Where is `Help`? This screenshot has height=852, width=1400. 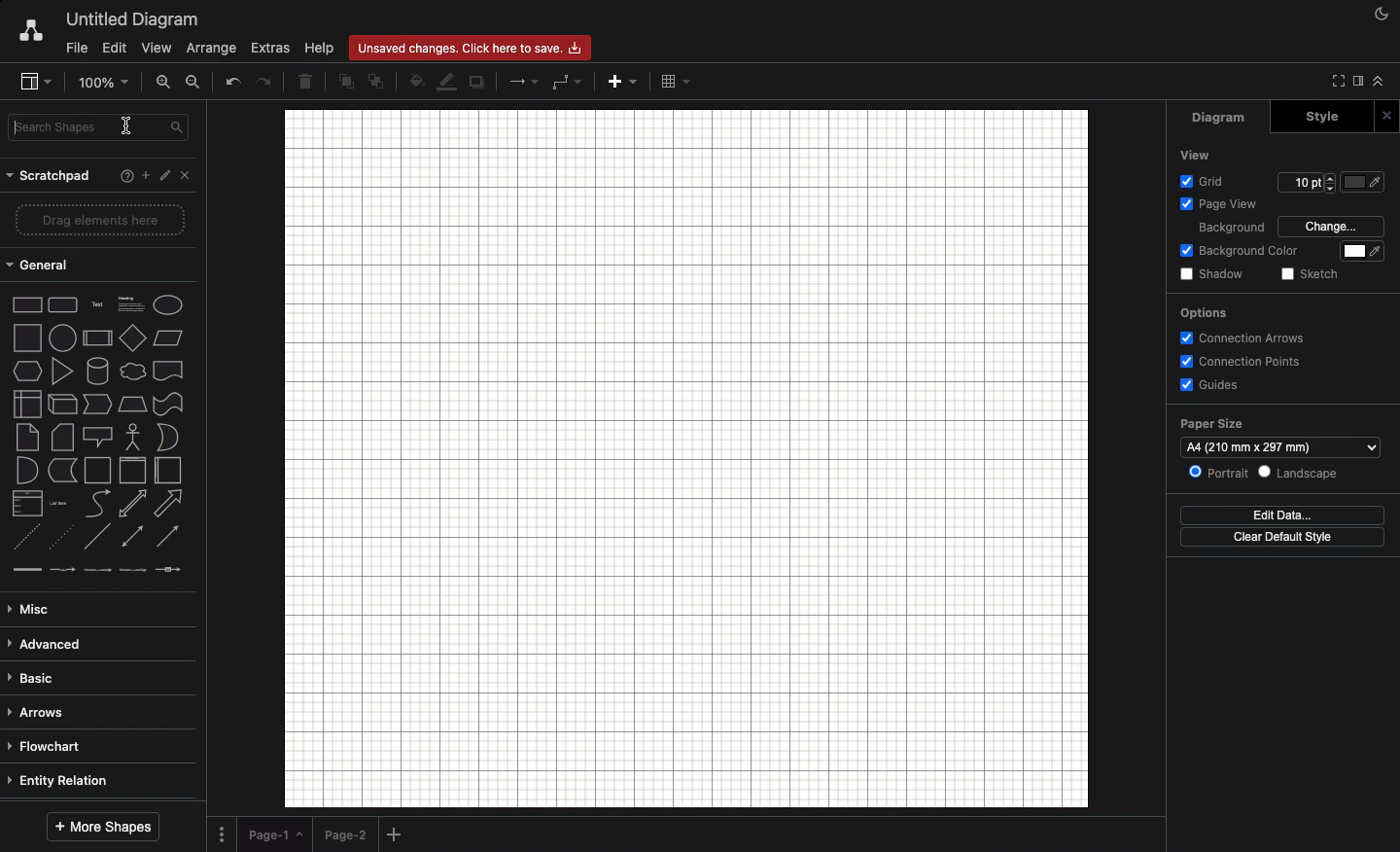
Help is located at coordinates (122, 177).